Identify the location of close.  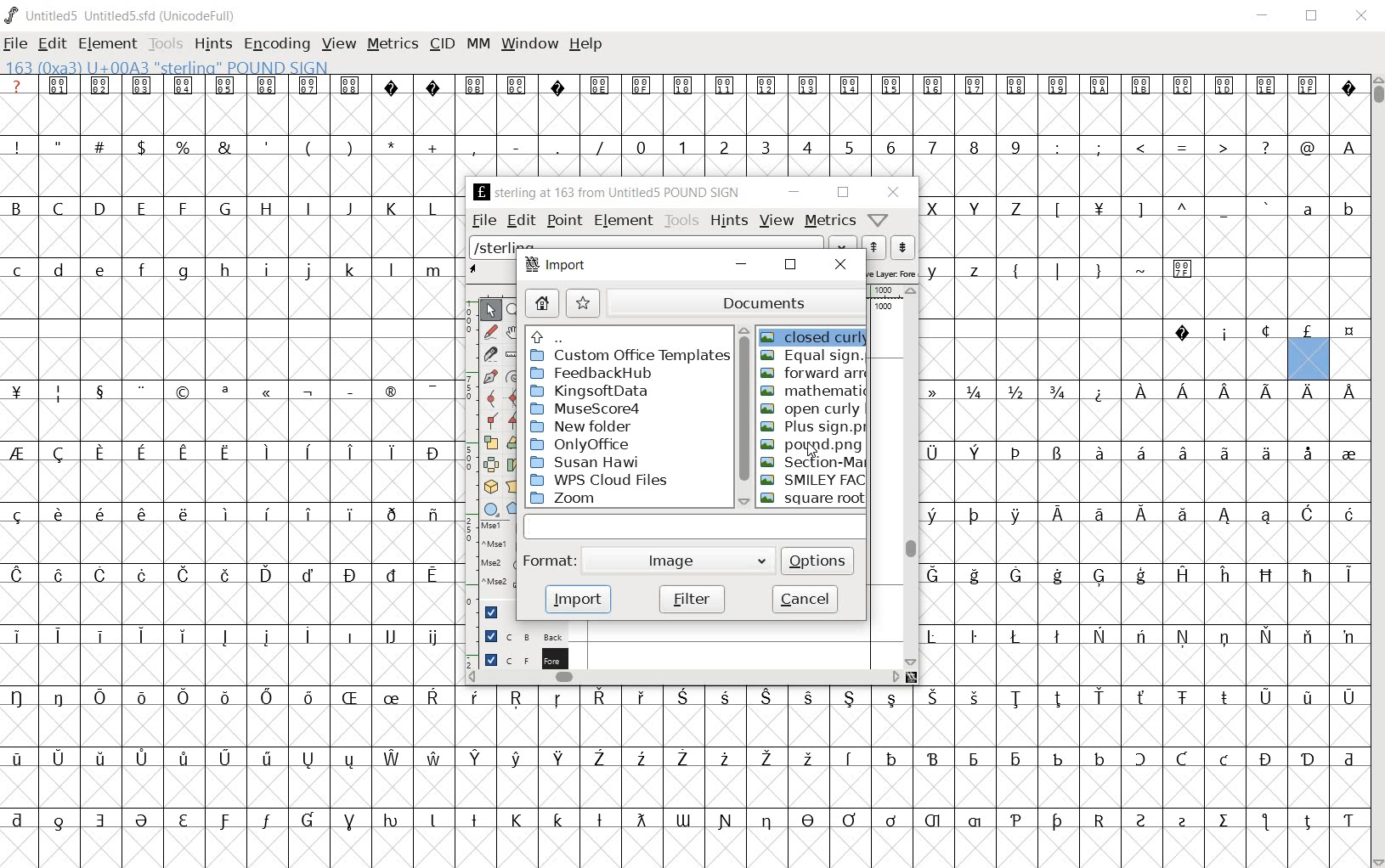
(1363, 17).